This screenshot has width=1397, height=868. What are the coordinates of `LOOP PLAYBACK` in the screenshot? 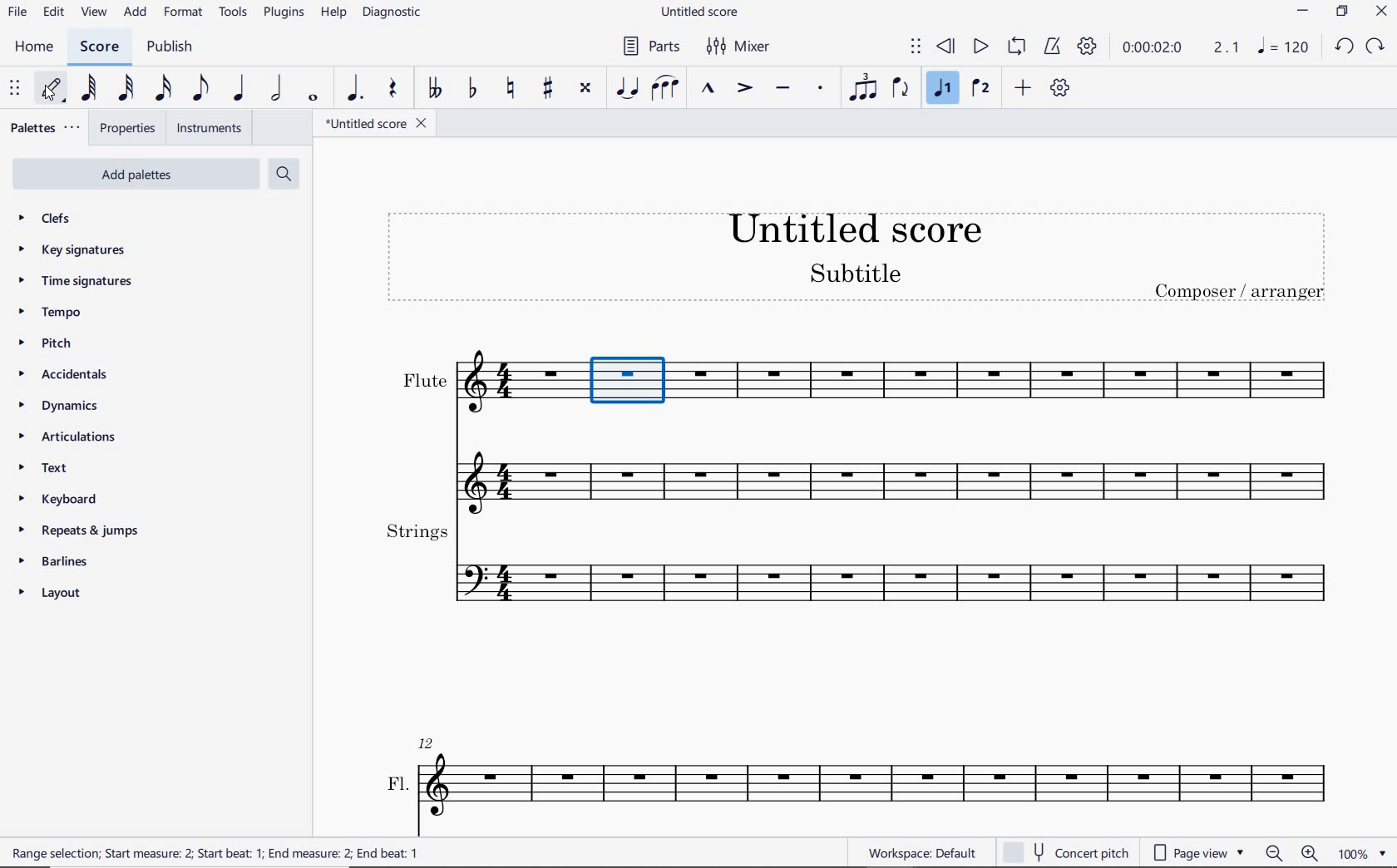 It's located at (1019, 48).